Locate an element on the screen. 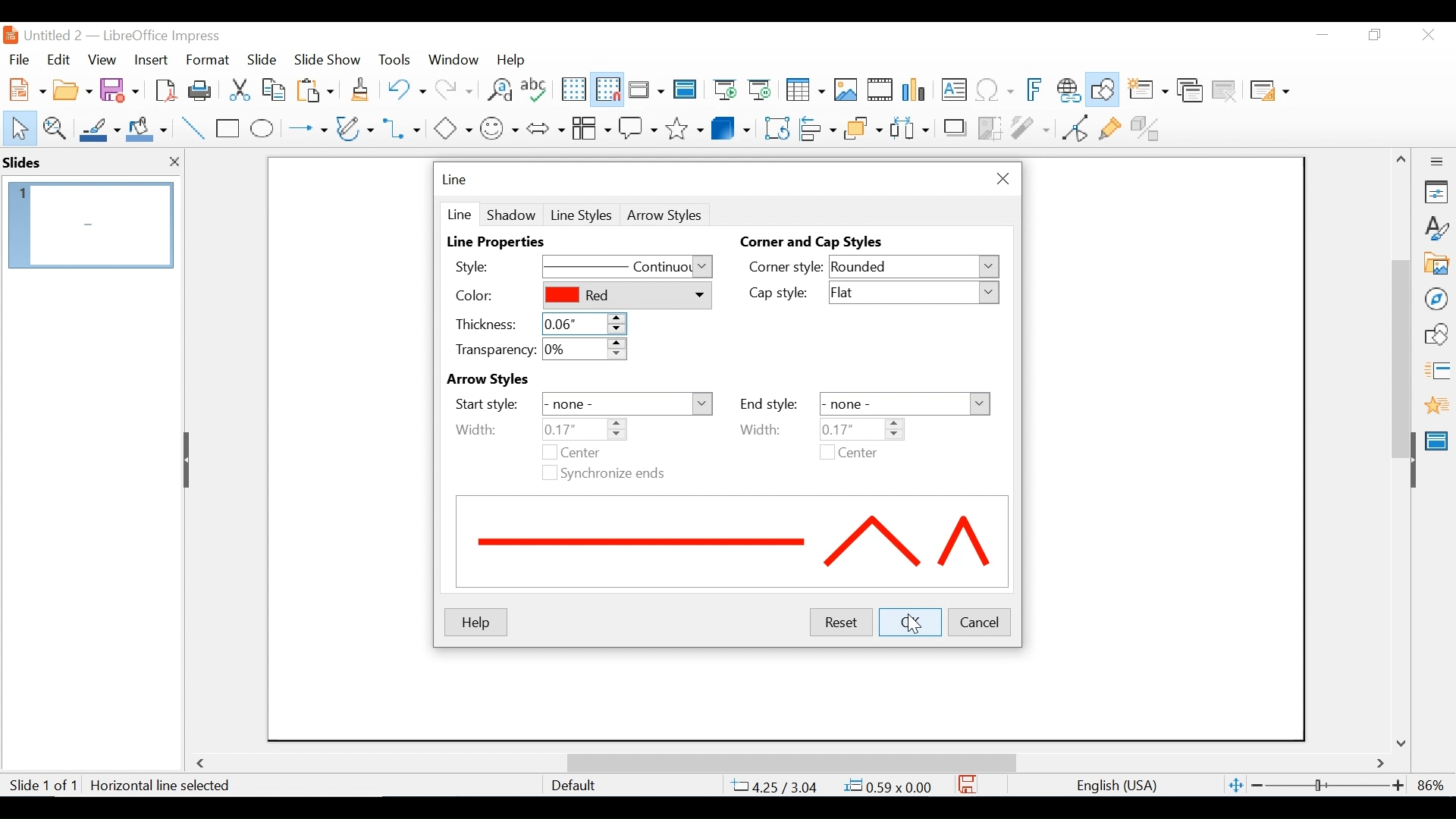  Display Grid is located at coordinates (573, 89).